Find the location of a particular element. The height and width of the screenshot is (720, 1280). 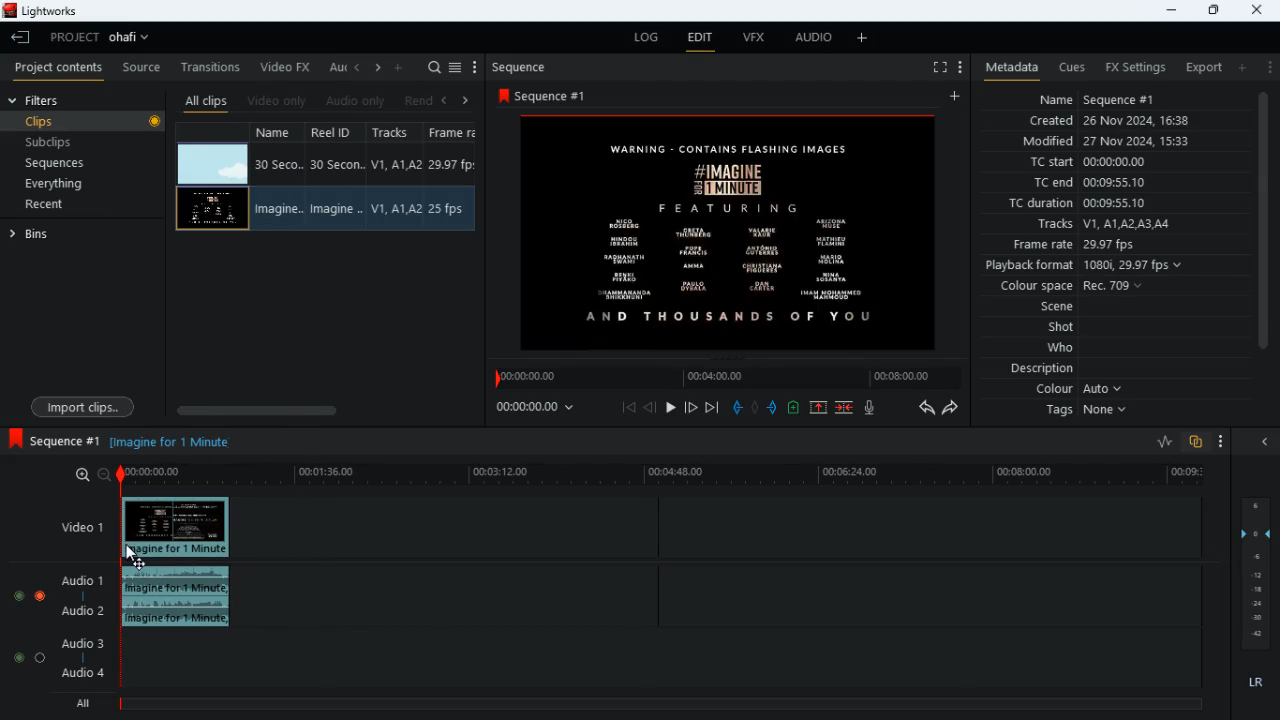

cues is located at coordinates (1073, 68).